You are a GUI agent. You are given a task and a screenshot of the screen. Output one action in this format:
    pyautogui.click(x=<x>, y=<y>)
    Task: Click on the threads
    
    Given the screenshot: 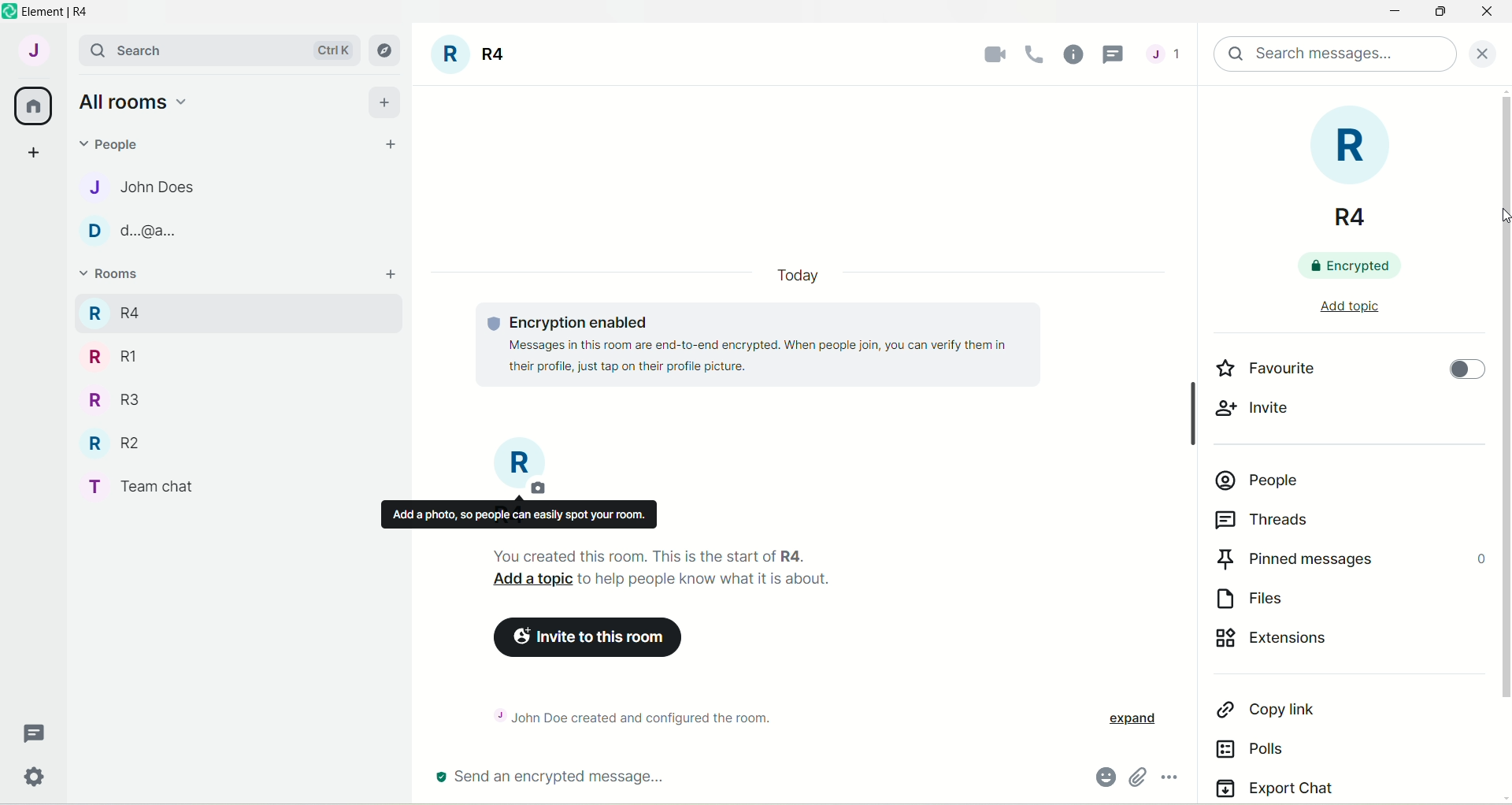 What is the action you would take?
    pyautogui.click(x=35, y=734)
    